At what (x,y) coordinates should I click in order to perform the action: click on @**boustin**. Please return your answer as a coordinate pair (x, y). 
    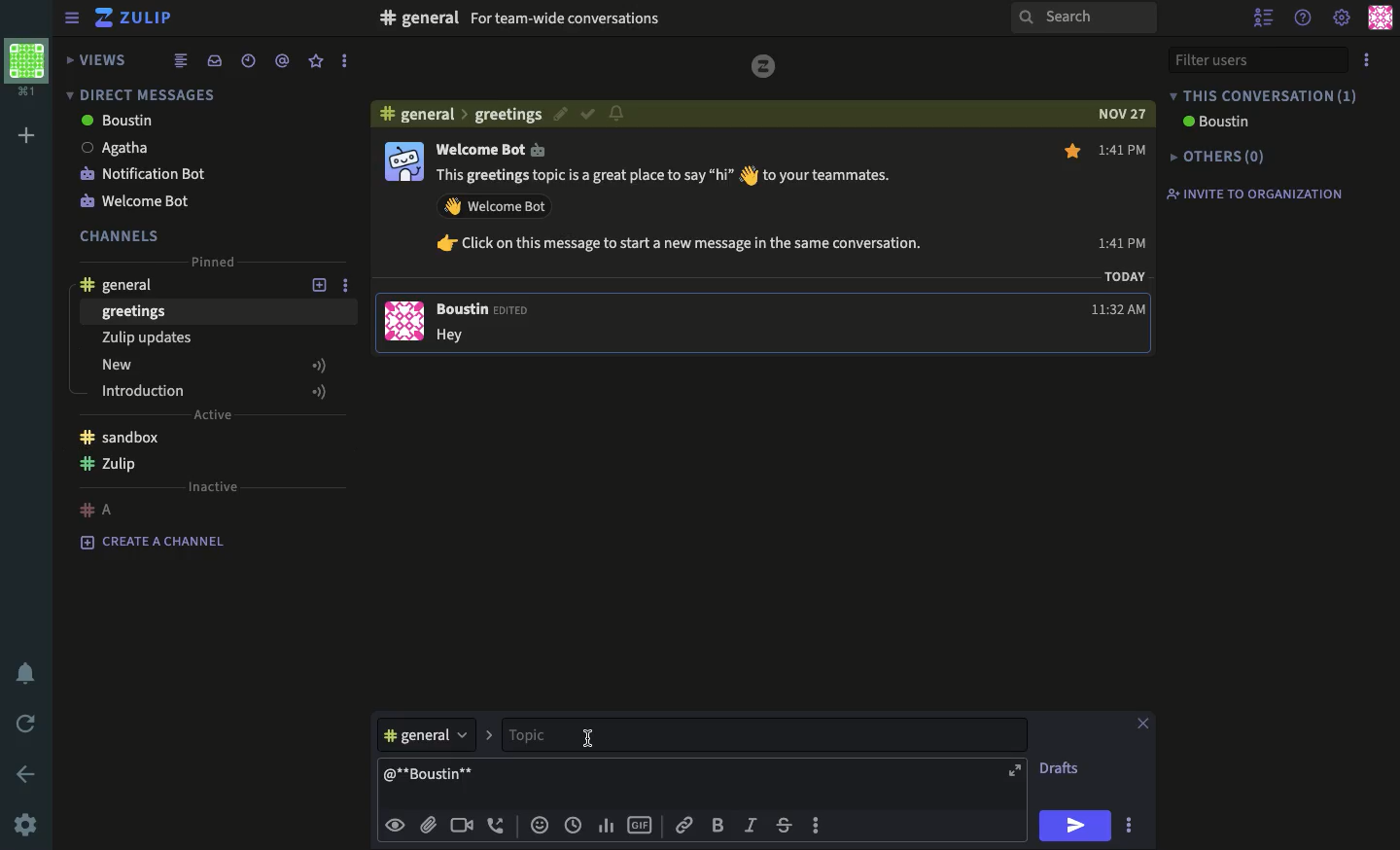
    Looking at the image, I should click on (431, 773).